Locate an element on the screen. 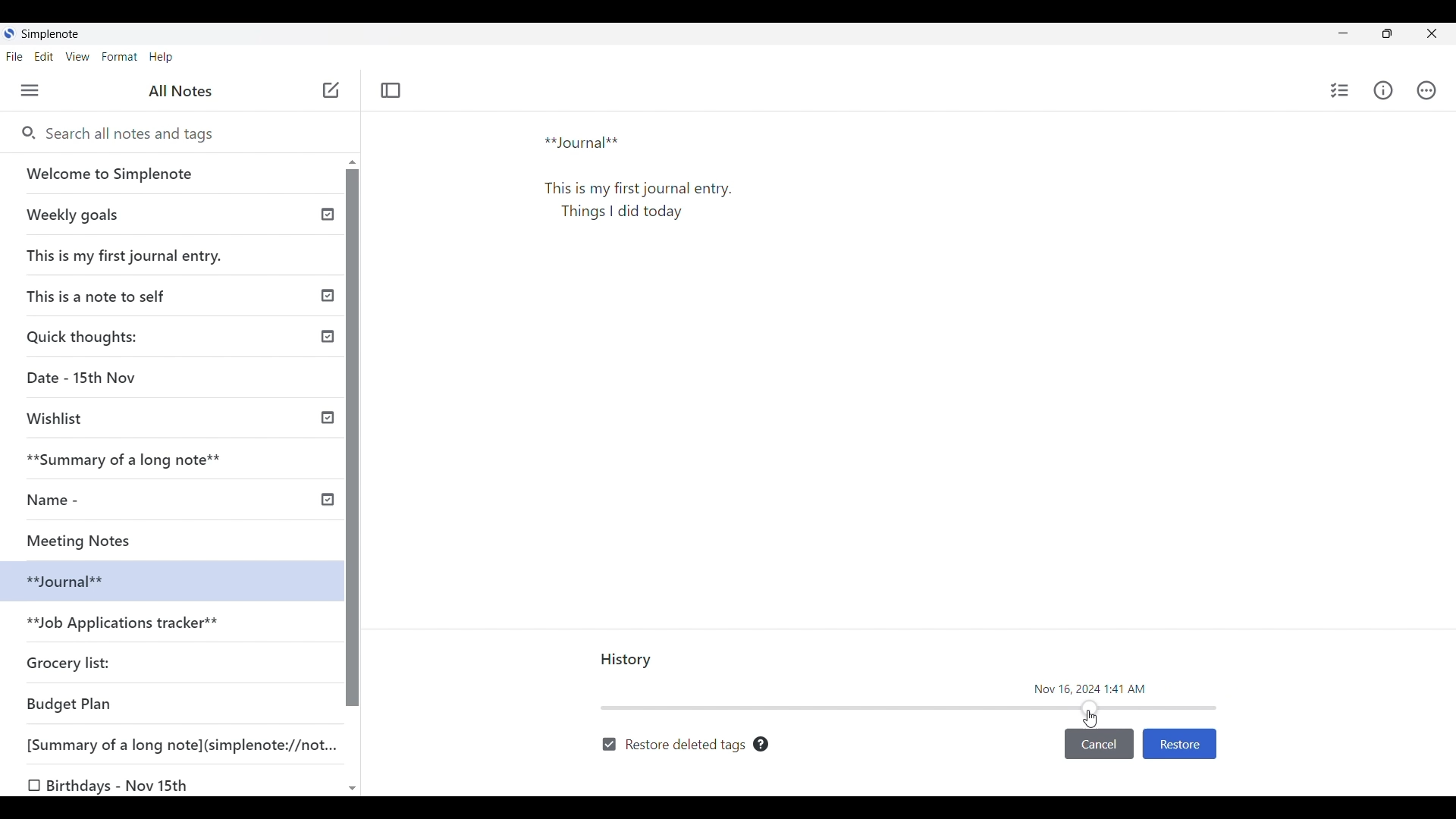 Image resolution: width=1456 pixels, height=819 pixels. Cancel inputs made is located at coordinates (1099, 745).